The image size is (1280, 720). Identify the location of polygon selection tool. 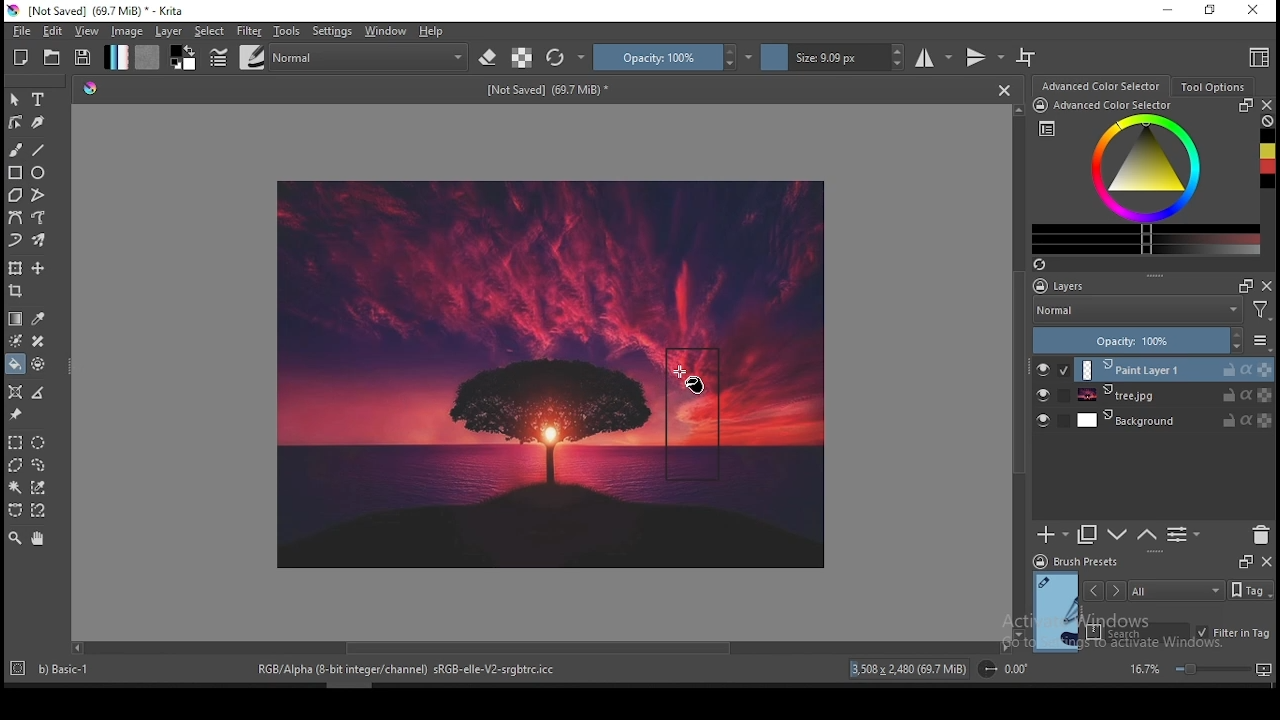
(12, 465).